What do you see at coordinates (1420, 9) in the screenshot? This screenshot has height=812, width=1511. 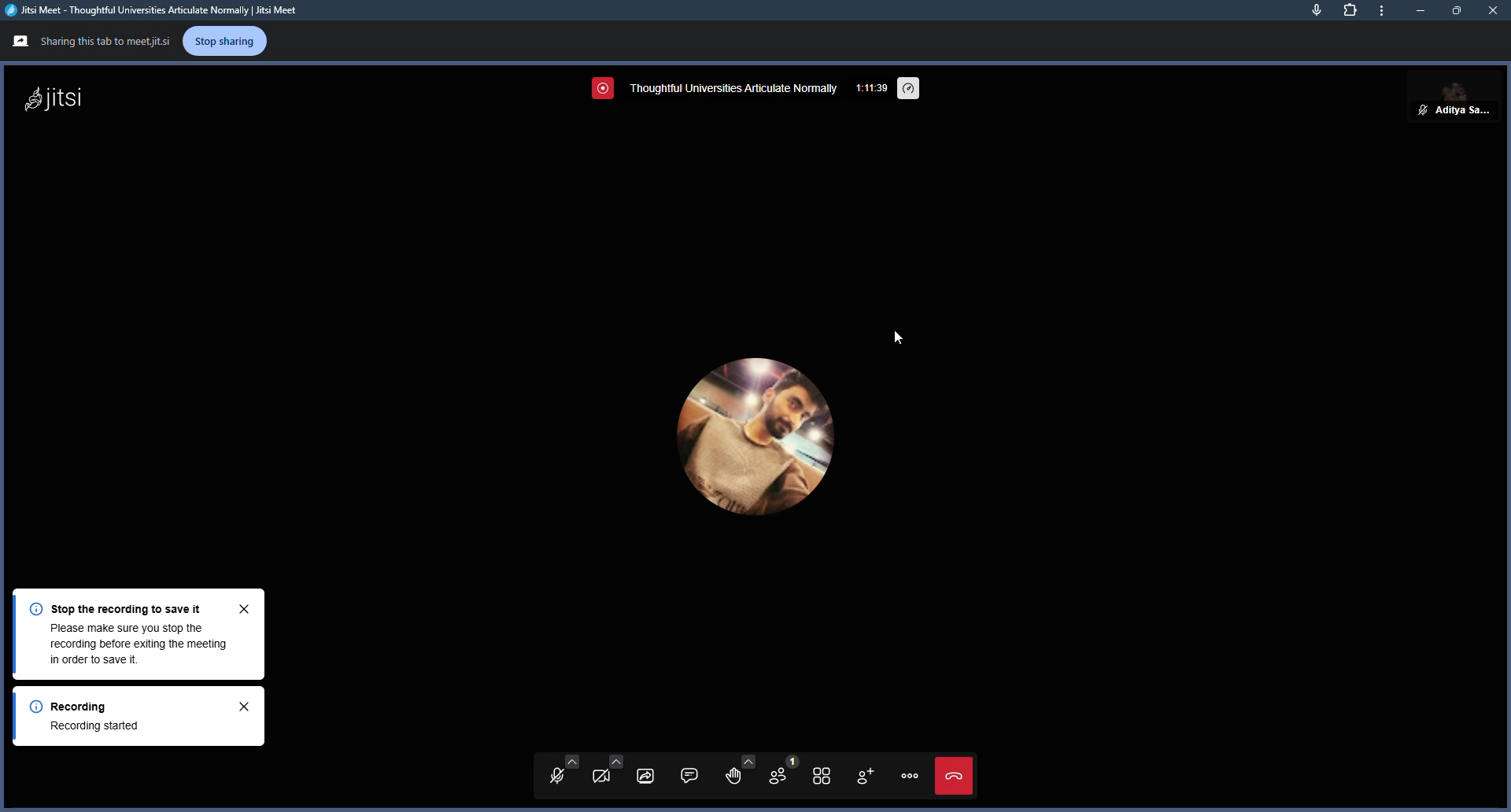 I see `minimize` at bounding box center [1420, 9].